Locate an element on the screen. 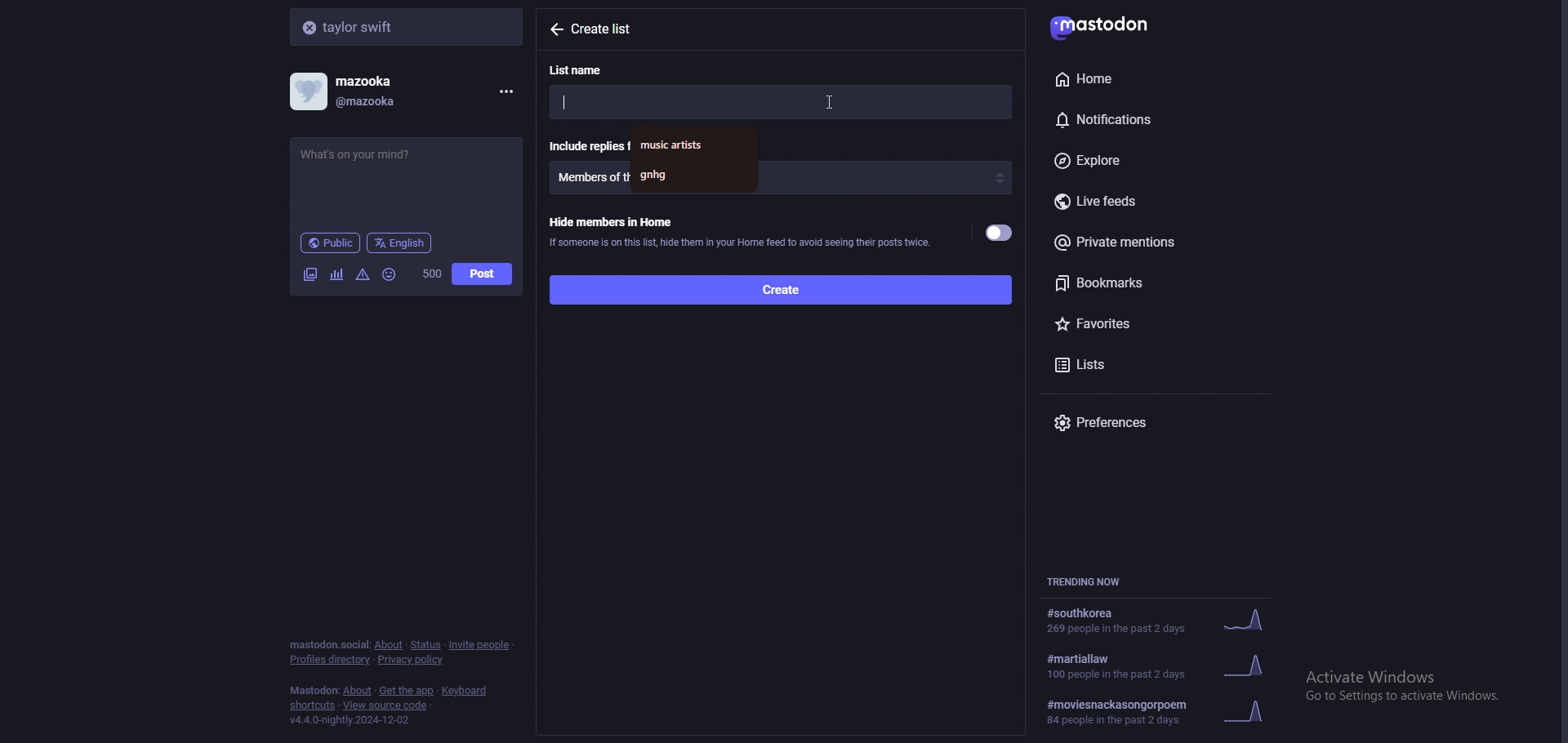 The height and width of the screenshot is (743, 1568). mastodon is located at coordinates (314, 691).